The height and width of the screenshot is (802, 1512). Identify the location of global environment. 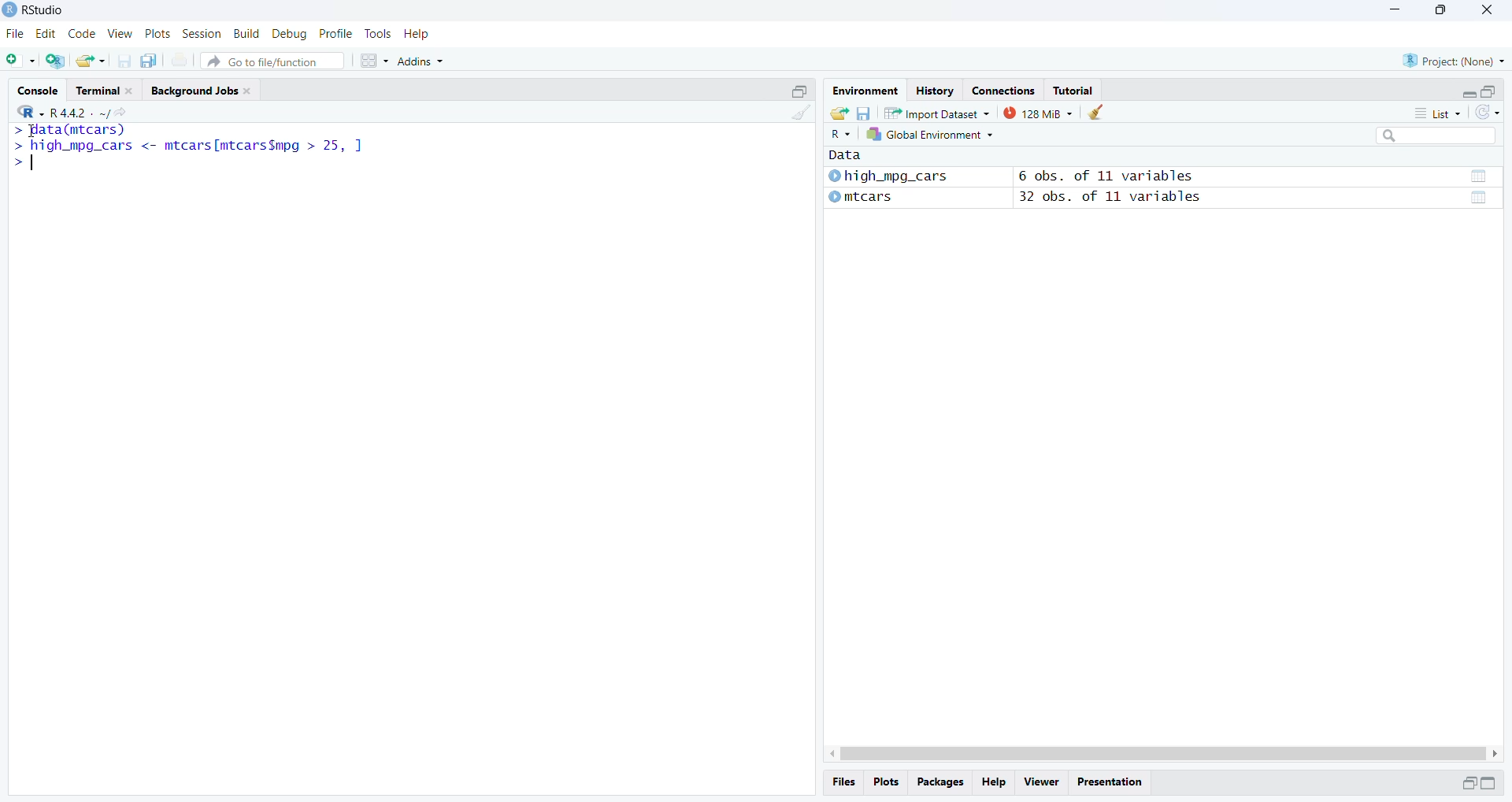
(927, 135).